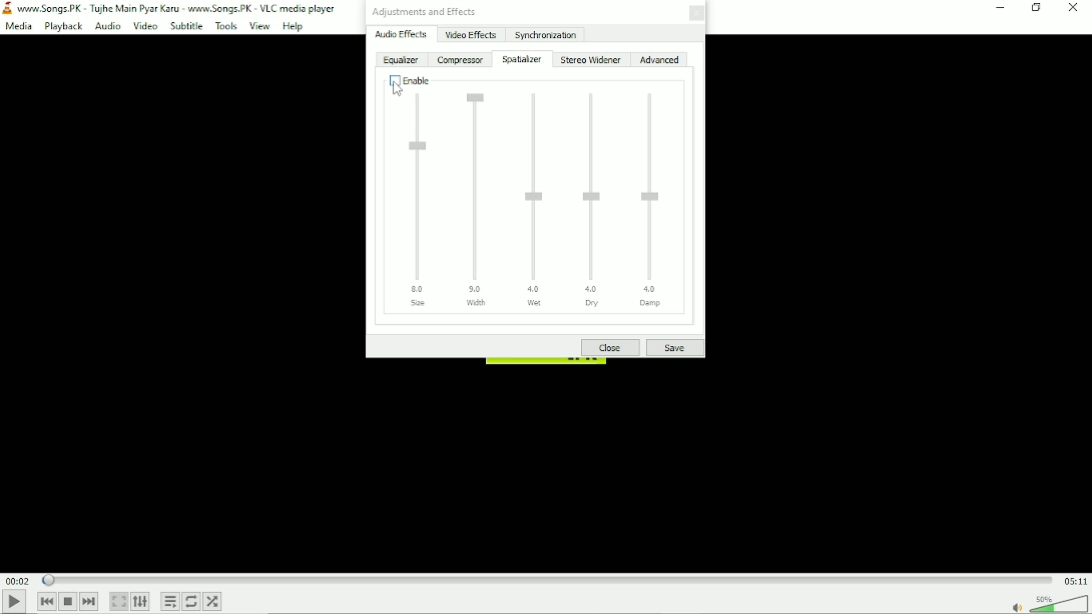  What do you see at coordinates (657, 200) in the screenshot?
I see `Damp` at bounding box center [657, 200].